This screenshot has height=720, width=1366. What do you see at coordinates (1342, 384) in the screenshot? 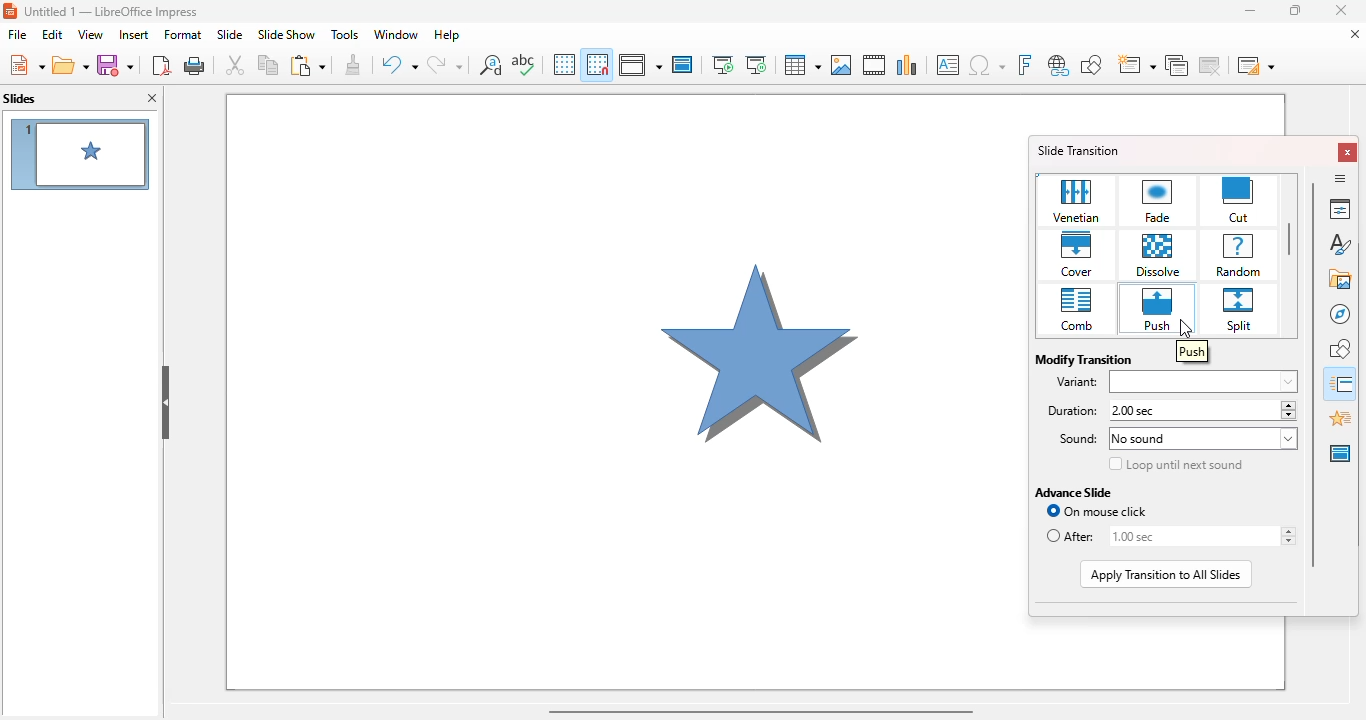
I see `slide transition` at bounding box center [1342, 384].